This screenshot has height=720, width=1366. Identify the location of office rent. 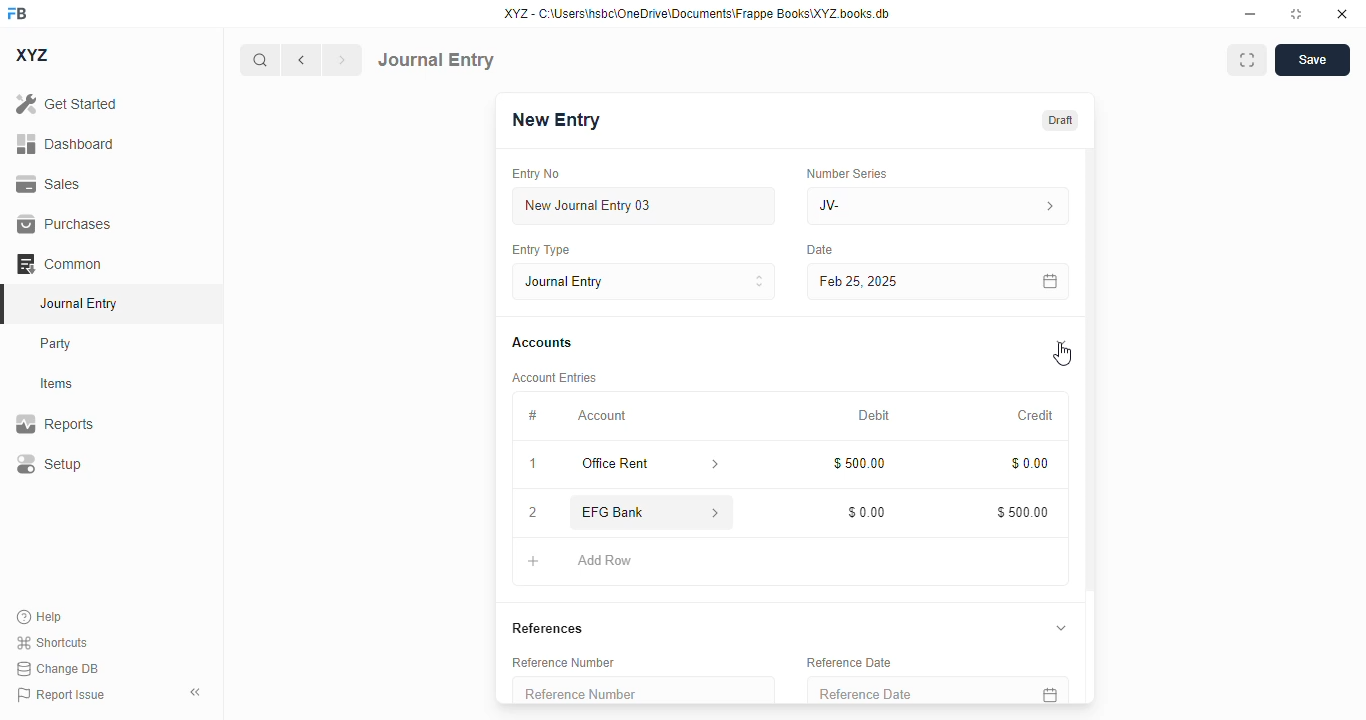
(631, 464).